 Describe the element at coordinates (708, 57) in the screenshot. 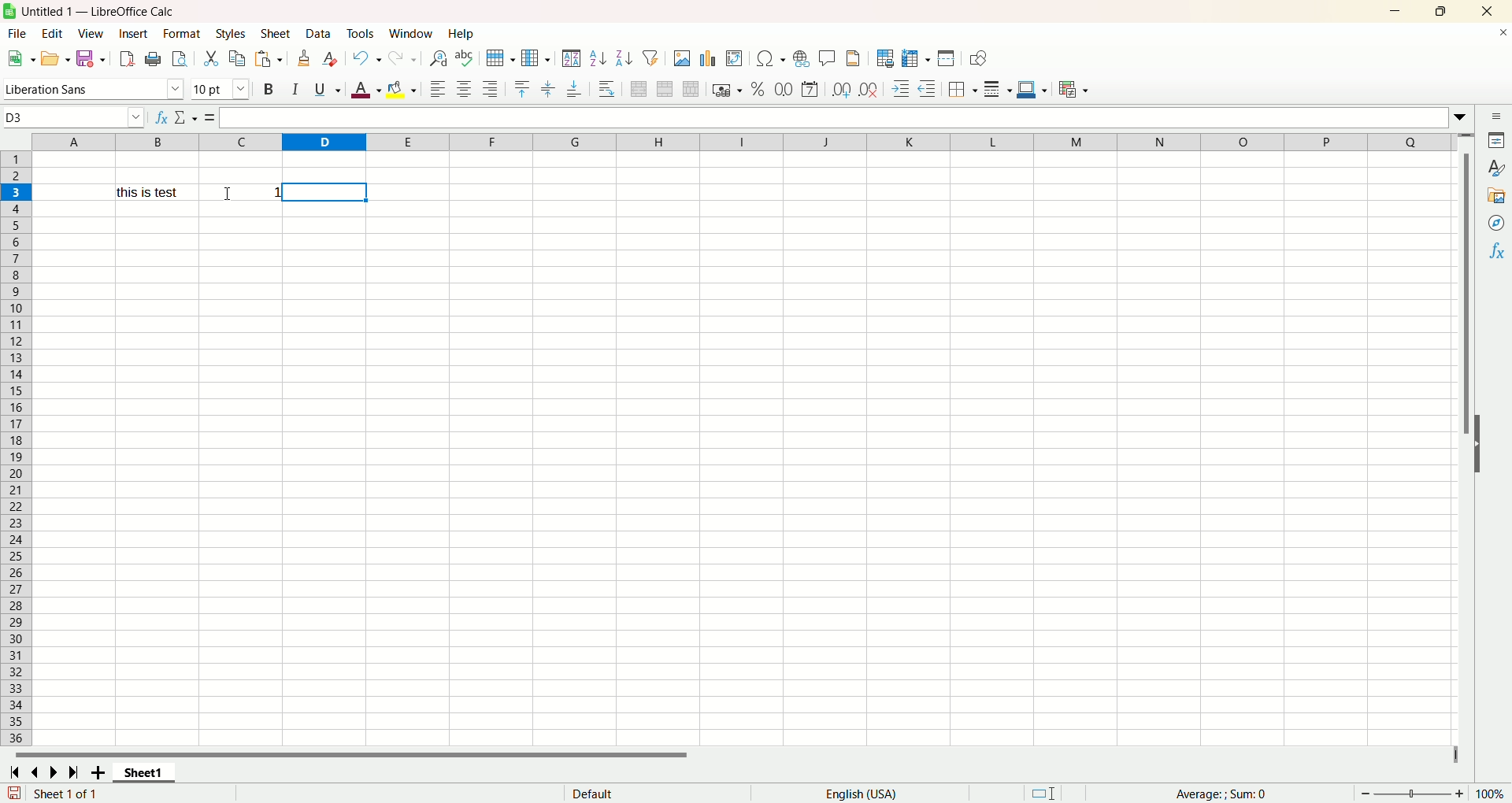

I see `chart` at that location.